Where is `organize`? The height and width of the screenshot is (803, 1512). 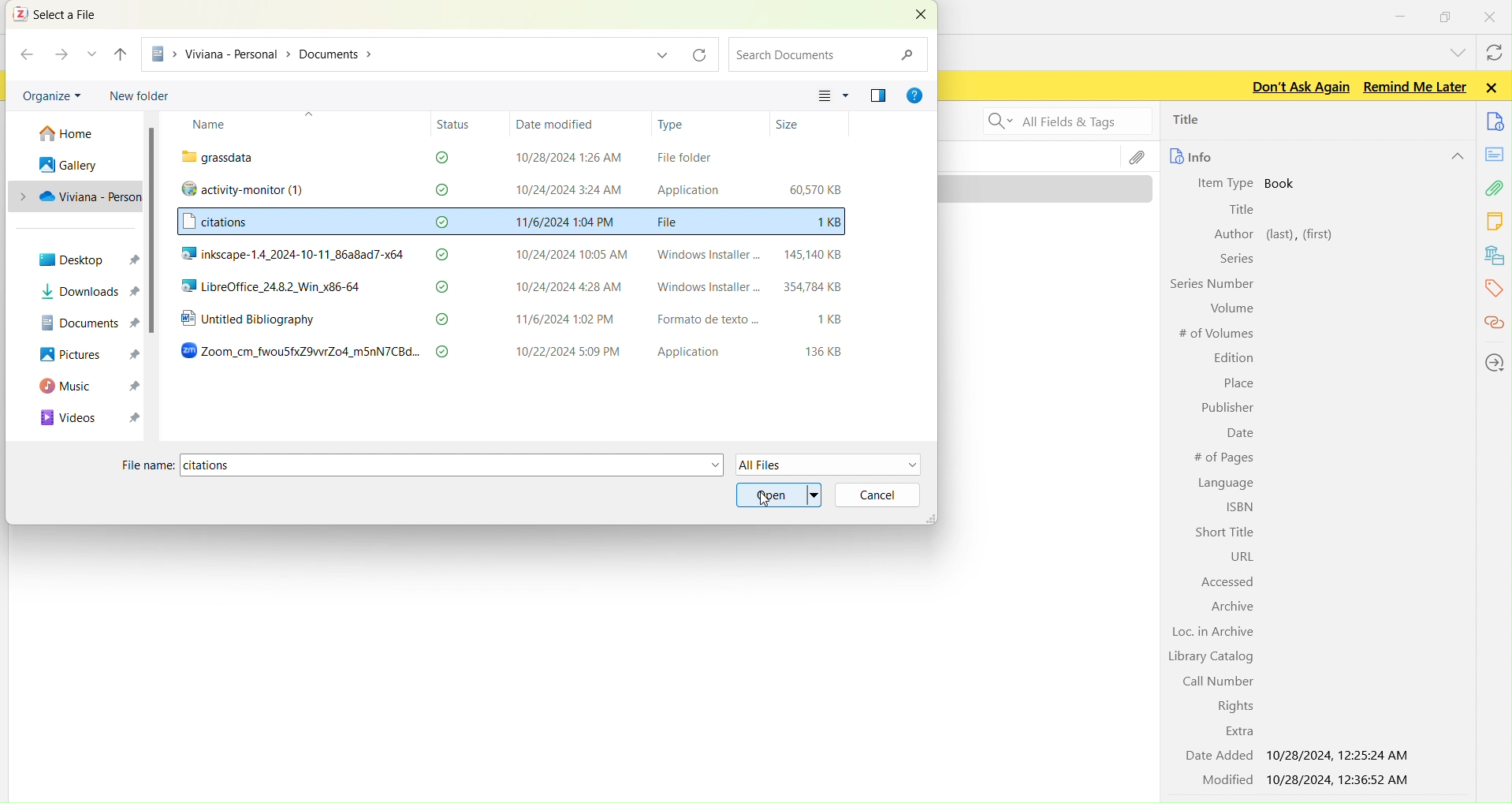 organize is located at coordinates (56, 98).